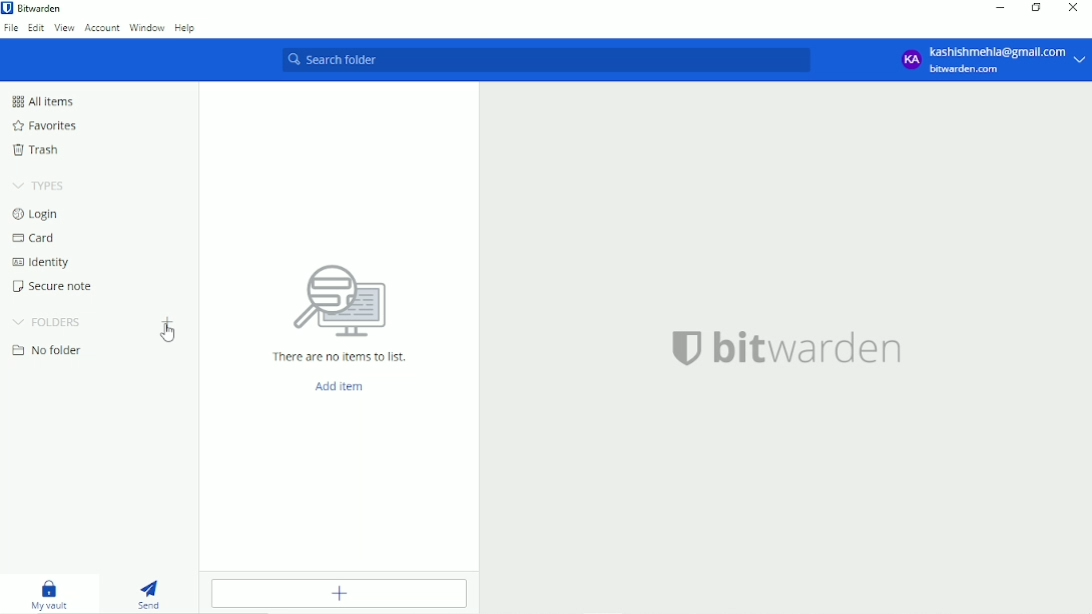  I want to click on searching for folder logo, so click(339, 298).